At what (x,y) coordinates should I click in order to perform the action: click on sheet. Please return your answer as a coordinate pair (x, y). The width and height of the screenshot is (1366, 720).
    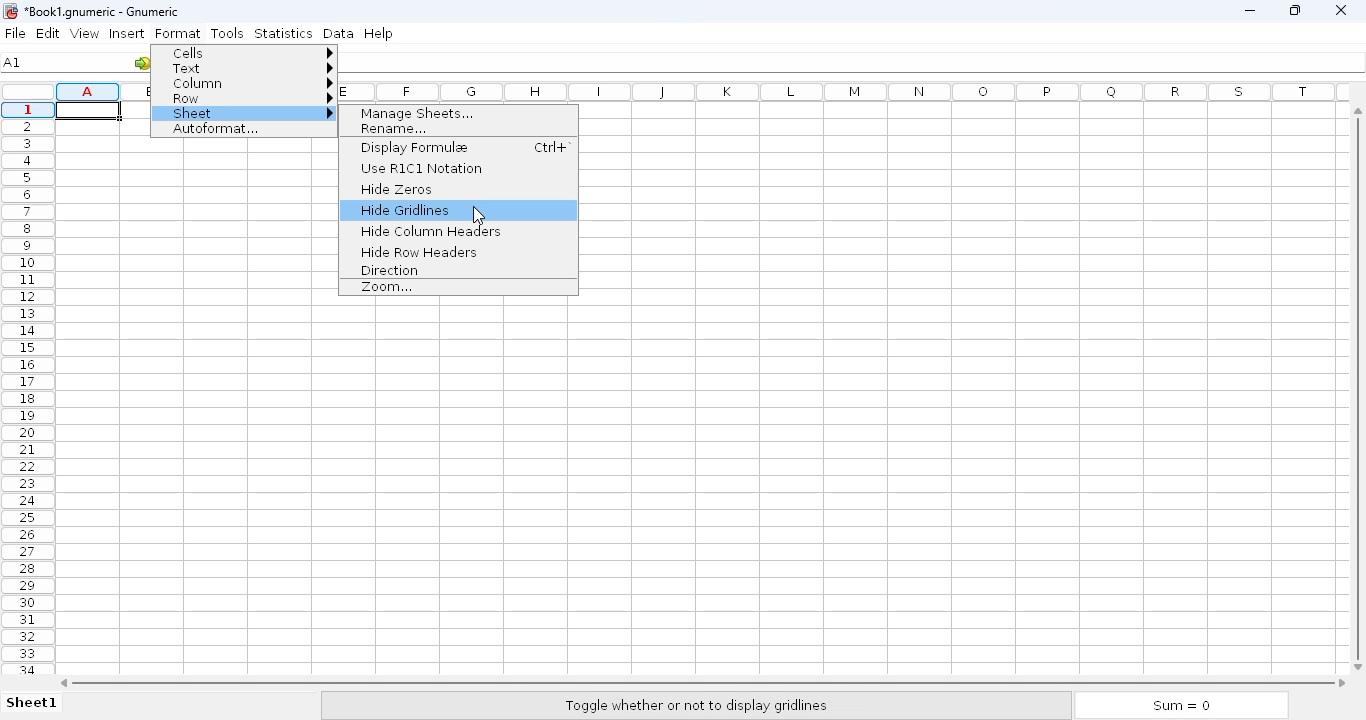
    Looking at the image, I should click on (247, 114).